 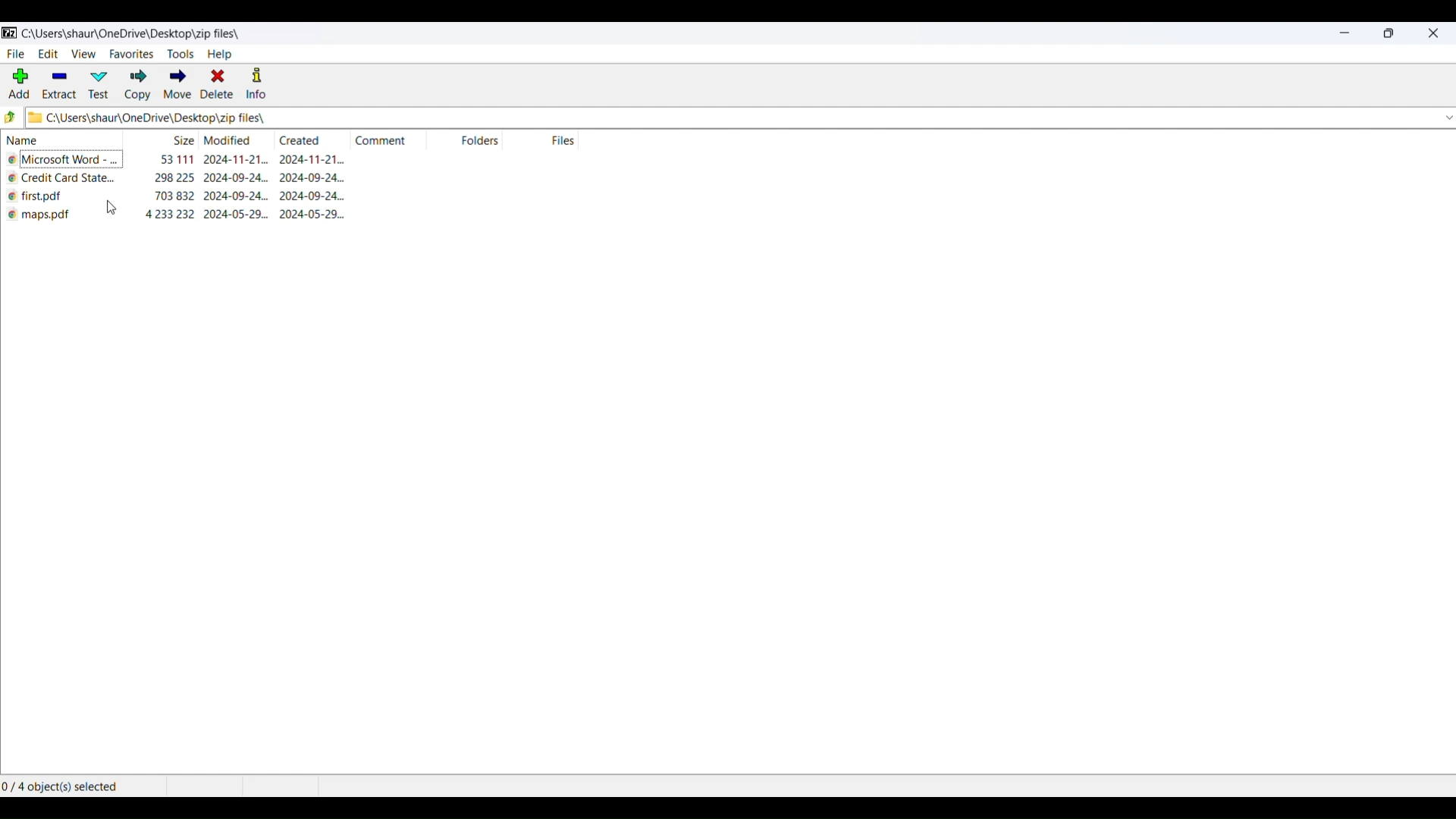 What do you see at coordinates (238, 199) in the screenshot?
I see `file modification date` at bounding box center [238, 199].